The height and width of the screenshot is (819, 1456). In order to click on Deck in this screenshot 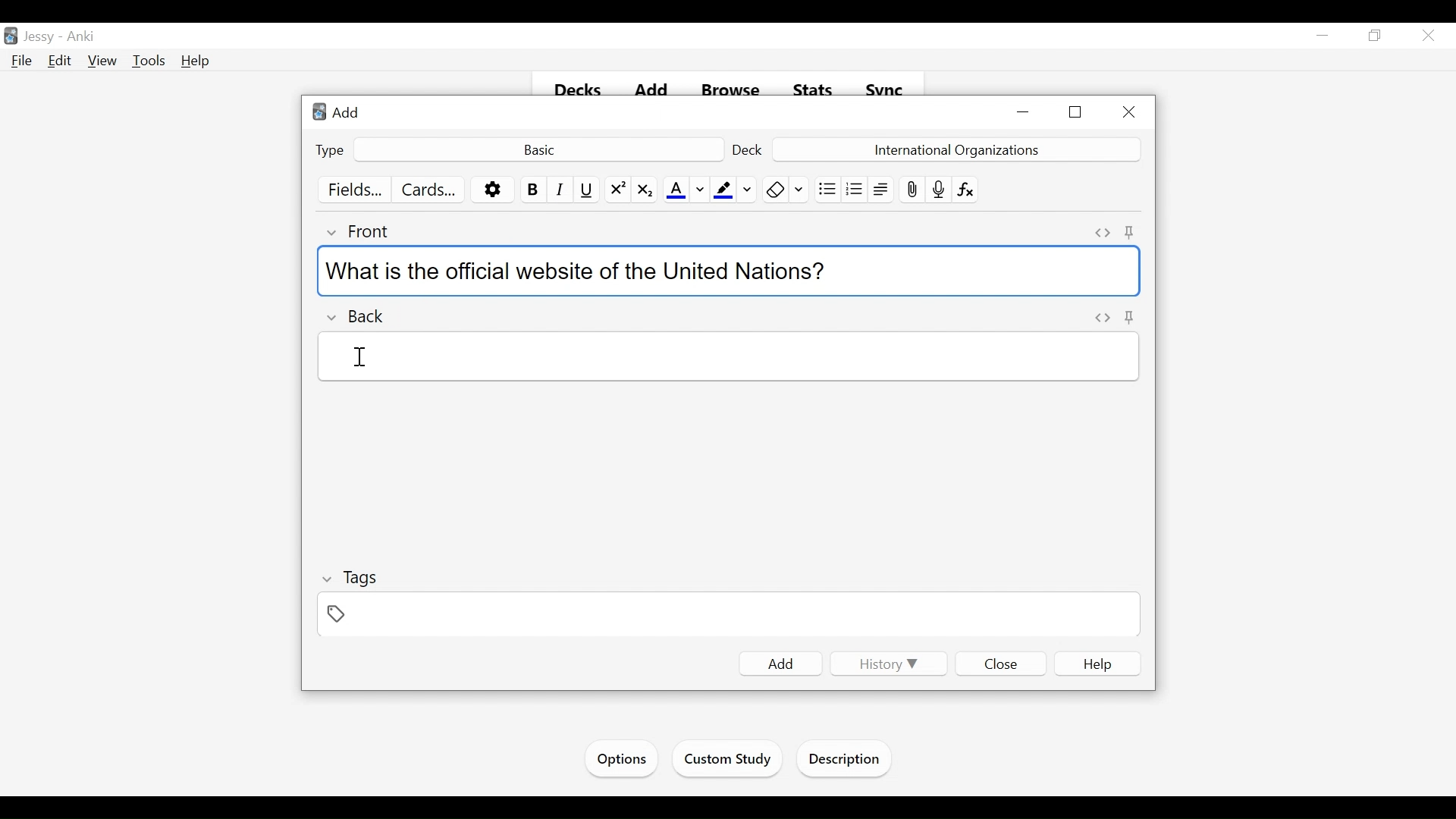, I will do `click(748, 149)`.